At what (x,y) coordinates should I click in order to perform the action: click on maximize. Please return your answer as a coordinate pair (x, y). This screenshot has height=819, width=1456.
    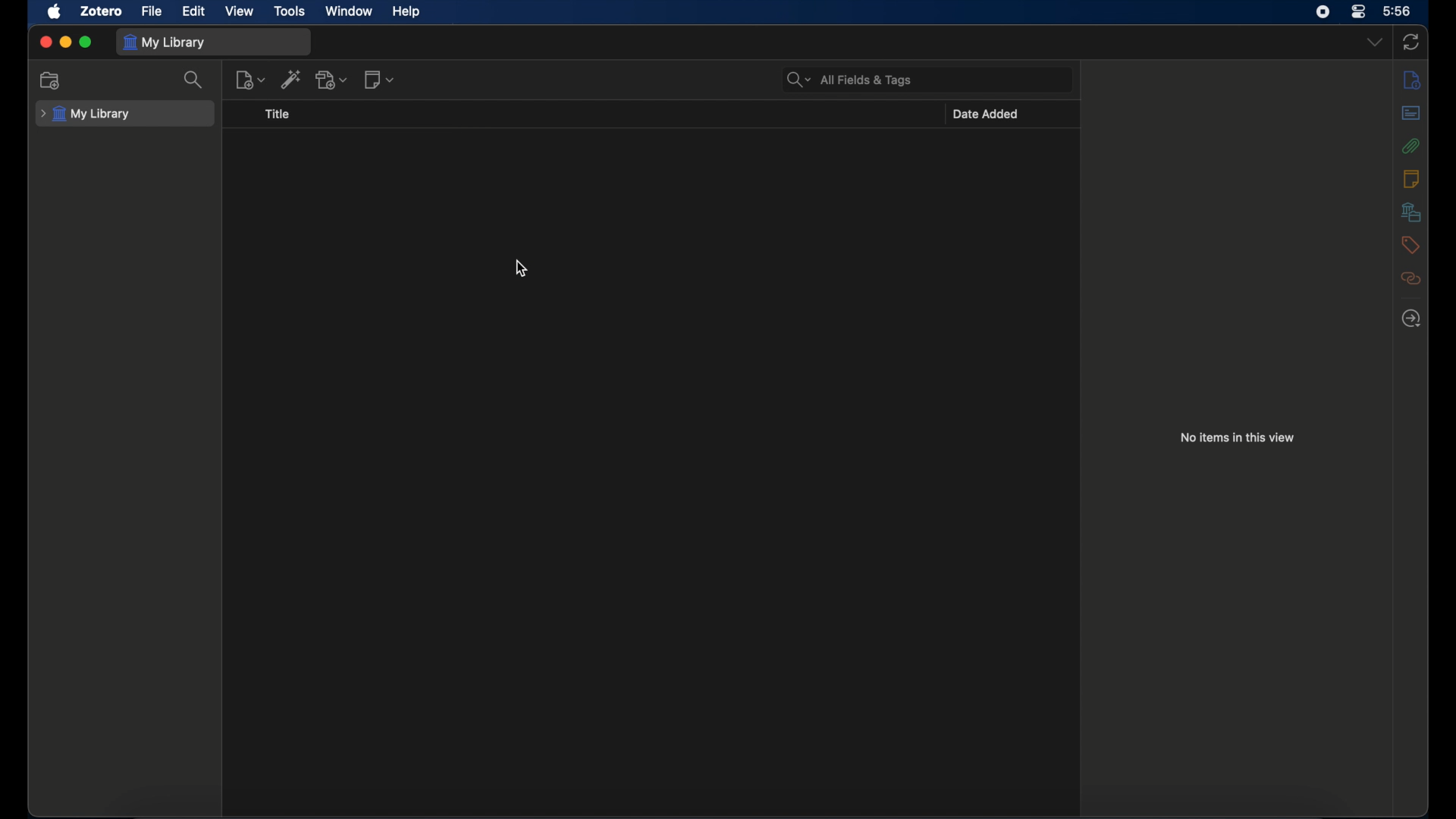
    Looking at the image, I should click on (86, 42).